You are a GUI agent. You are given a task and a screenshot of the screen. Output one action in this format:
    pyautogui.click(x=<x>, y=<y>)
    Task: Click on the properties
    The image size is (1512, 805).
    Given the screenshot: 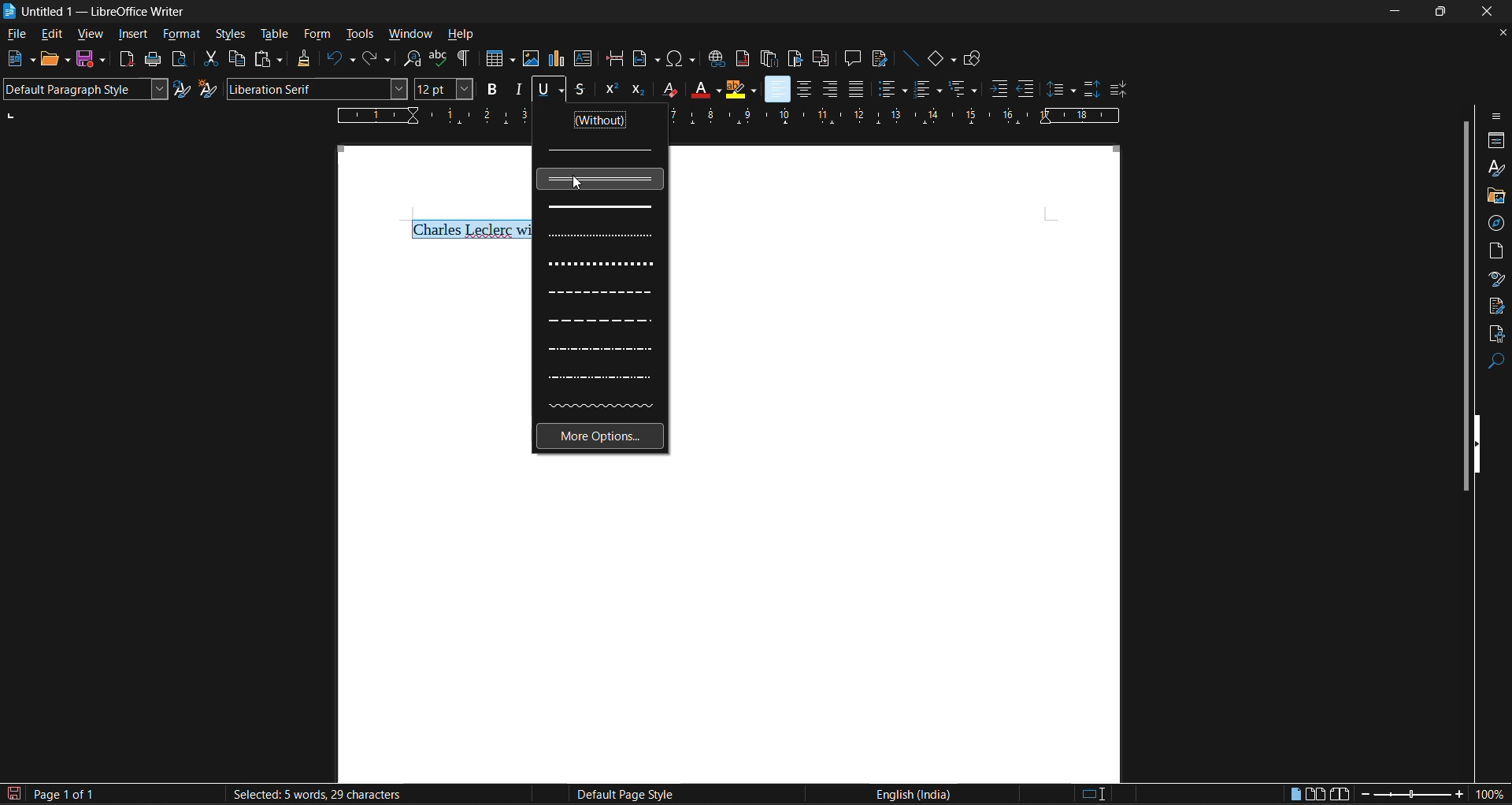 What is the action you would take?
    pyautogui.click(x=1496, y=141)
    